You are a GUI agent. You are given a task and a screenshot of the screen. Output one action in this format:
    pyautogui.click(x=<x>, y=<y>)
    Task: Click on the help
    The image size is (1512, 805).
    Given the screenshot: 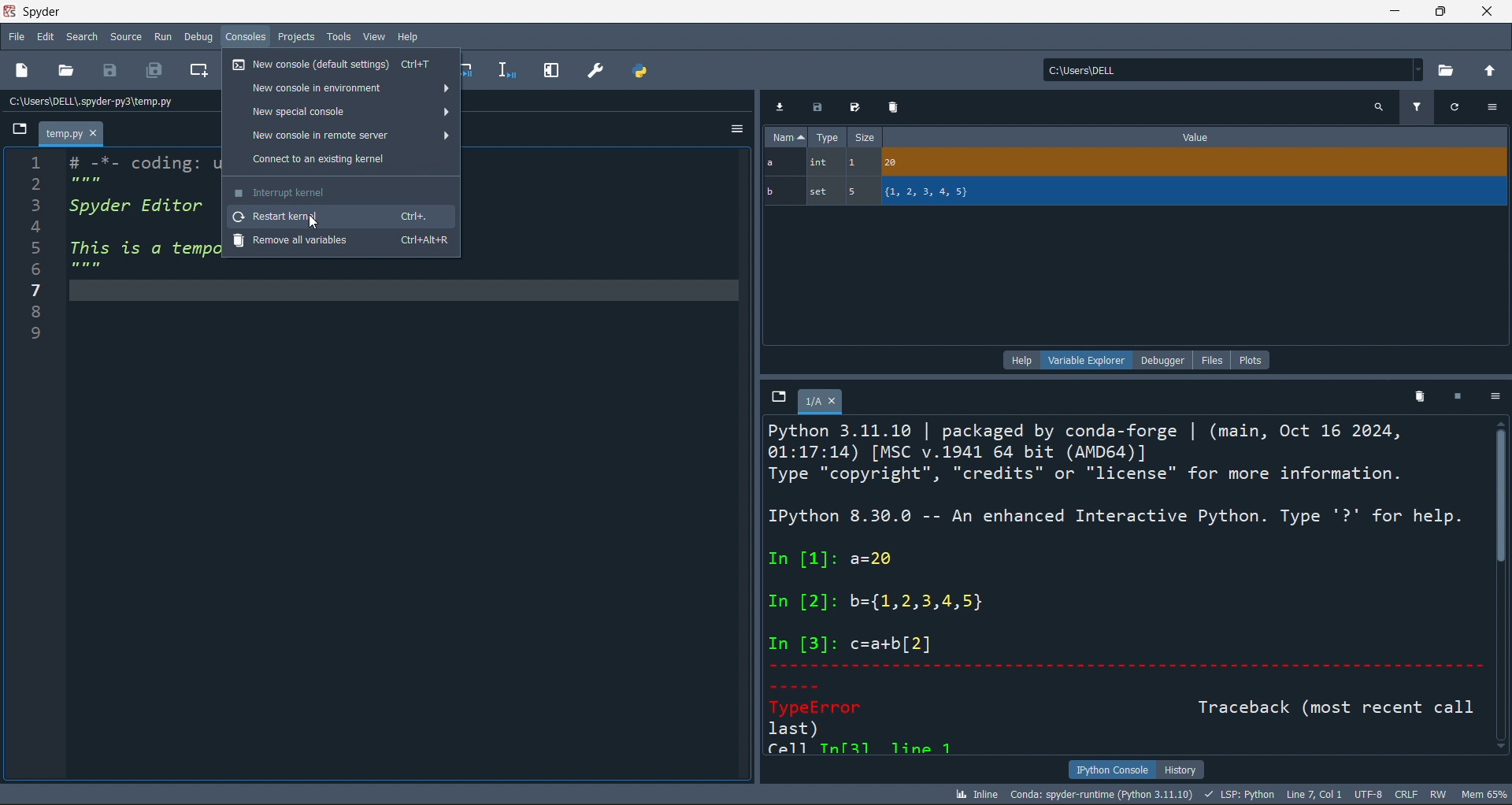 What is the action you would take?
    pyautogui.click(x=1021, y=360)
    